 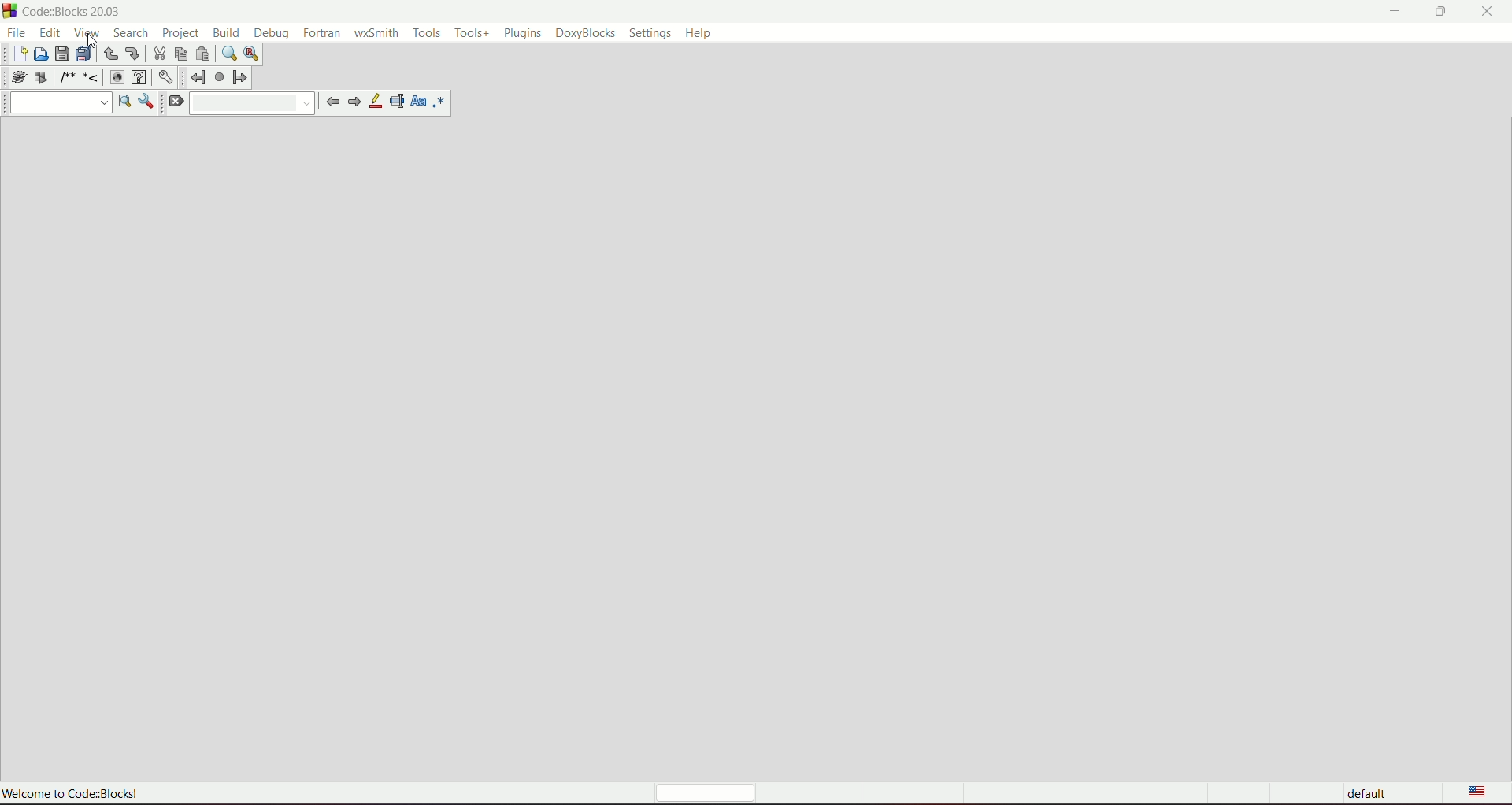 What do you see at coordinates (125, 102) in the screenshot?
I see `run search` at bounding box center [125, 102].